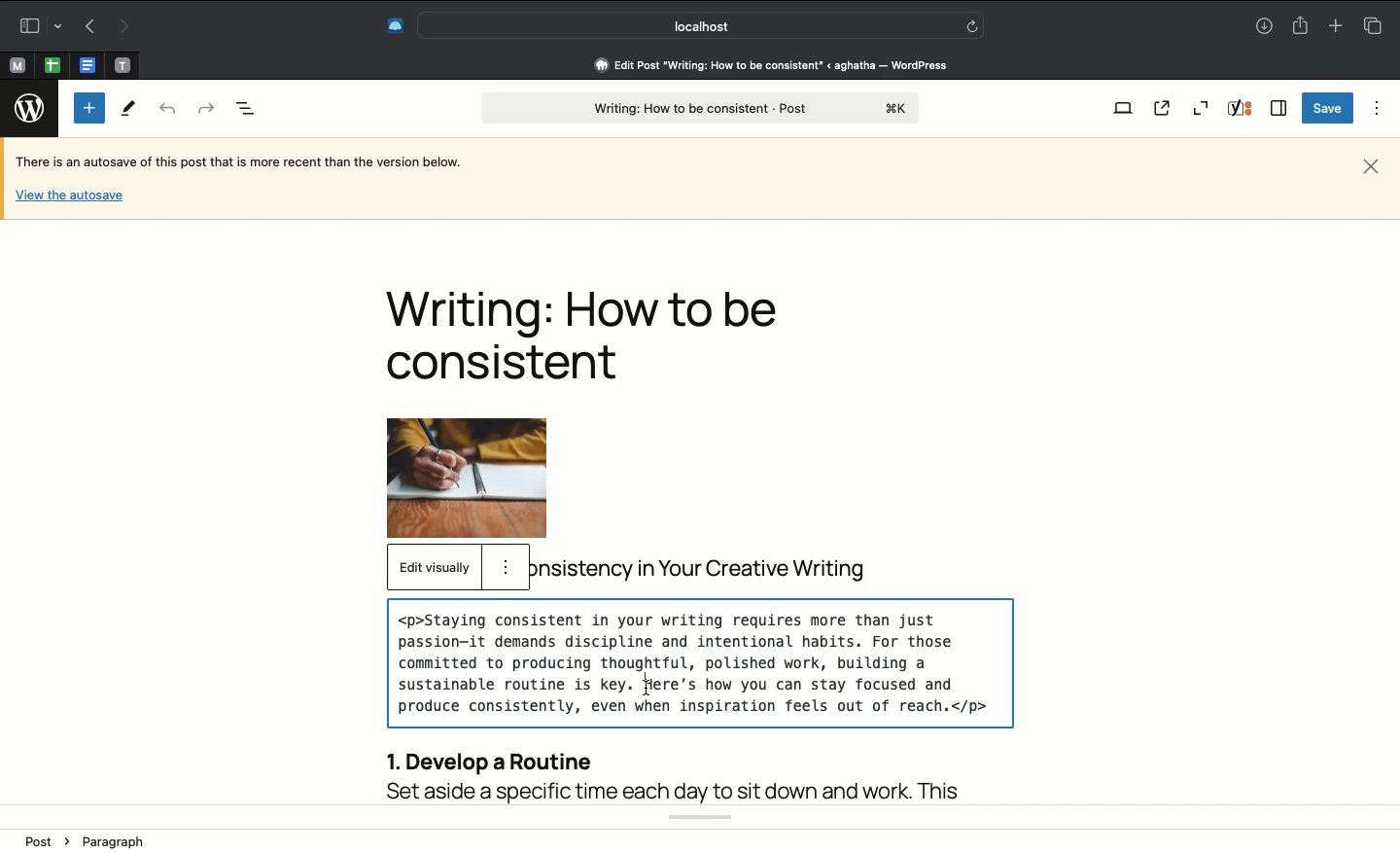  What do you see at coordinates (124, 62) in the screenshot?
I see `pinned tab` at bounding box center [124, 62].